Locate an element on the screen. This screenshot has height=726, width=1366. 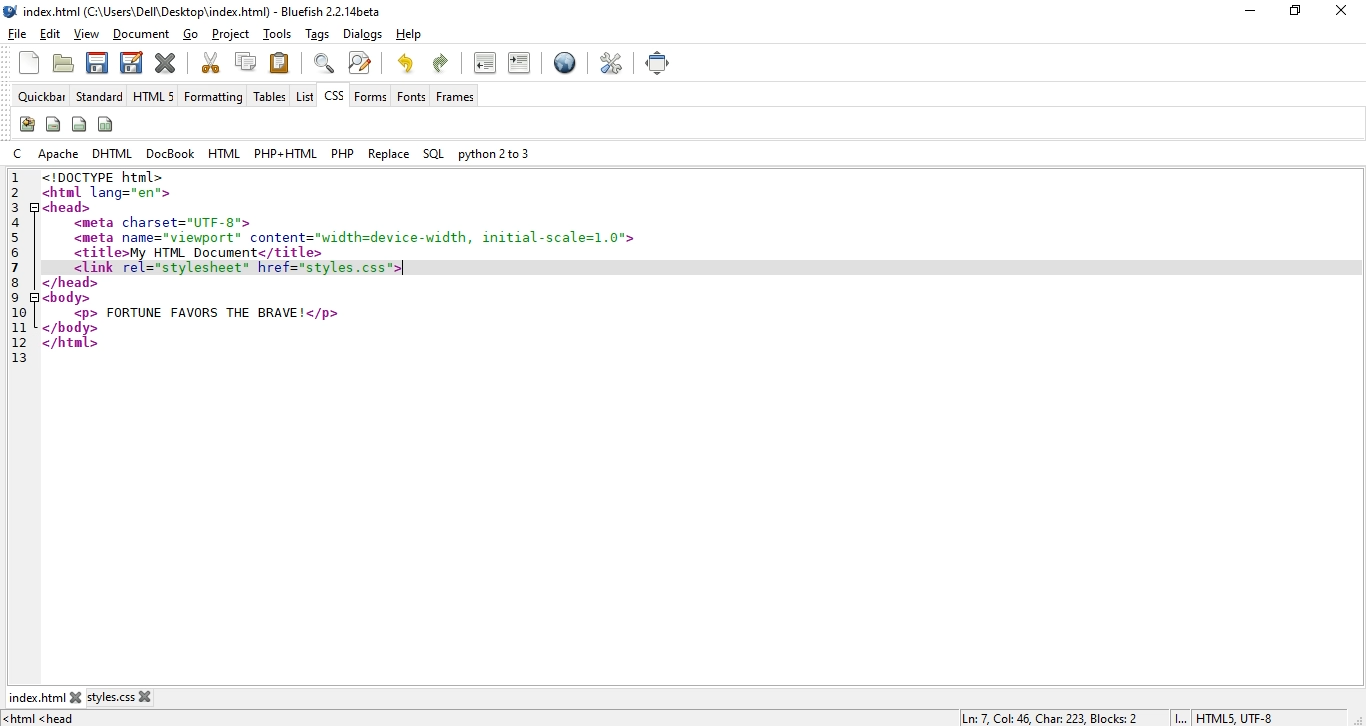
<link rel="stylesheet" href="styles.css"> is located at coordinates (240, 268).